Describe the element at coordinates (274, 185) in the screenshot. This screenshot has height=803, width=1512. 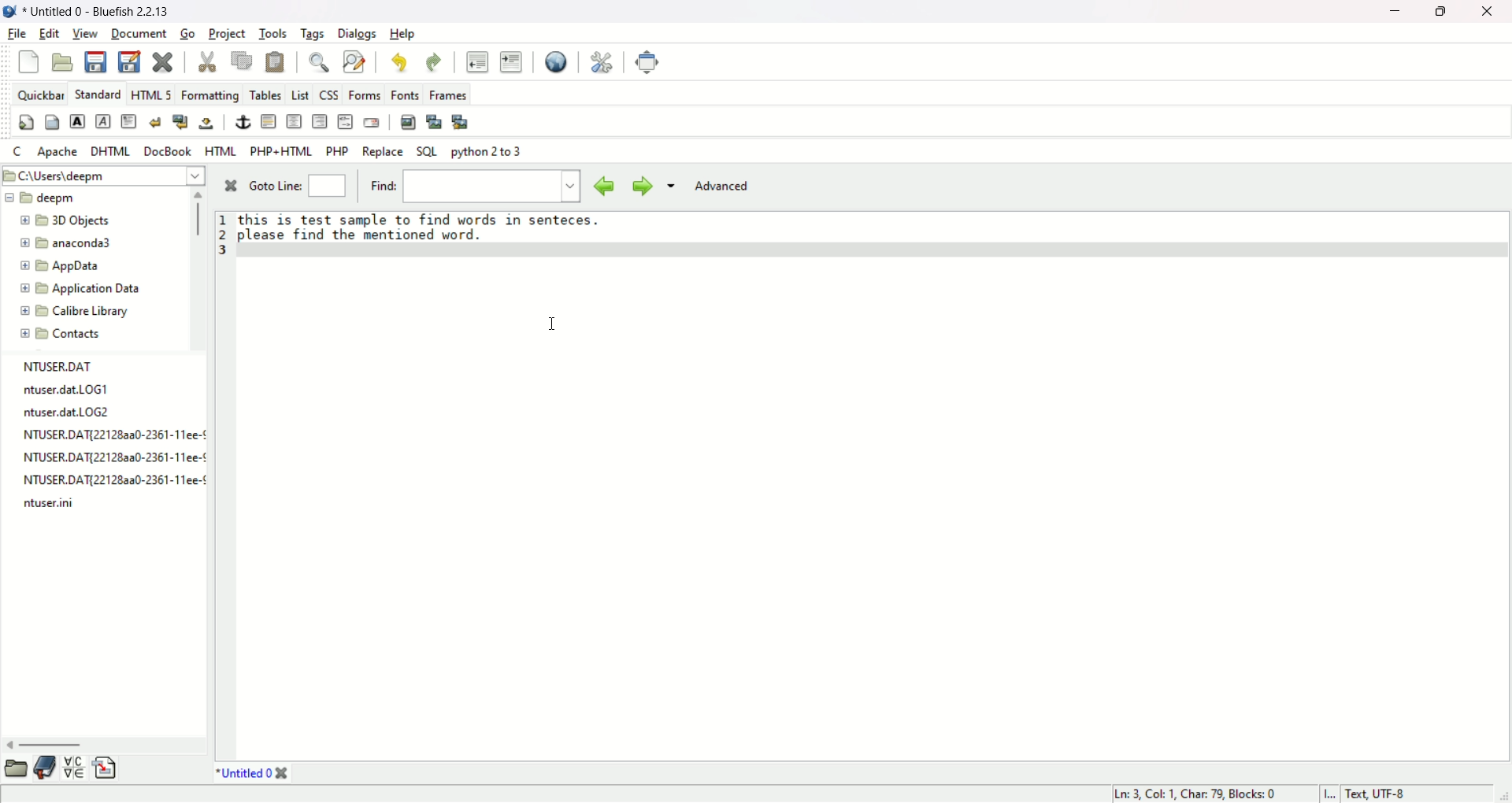
I see `goto line` at that location.